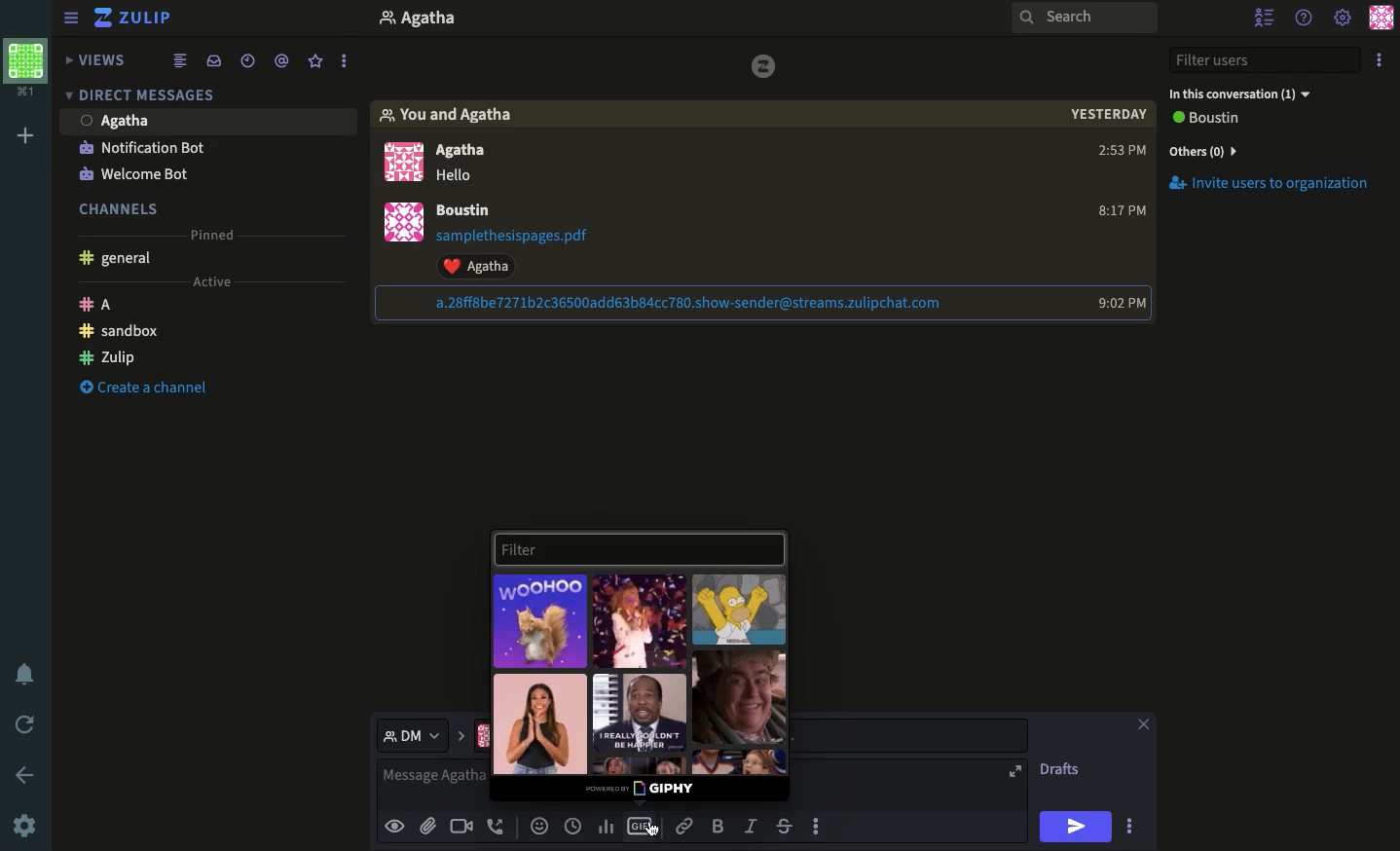 This screenshot has height=851, width=1400. What do you see at coordinates (687, 827) in the screenshot?
I see `Link` at bounding box center [687, 827].